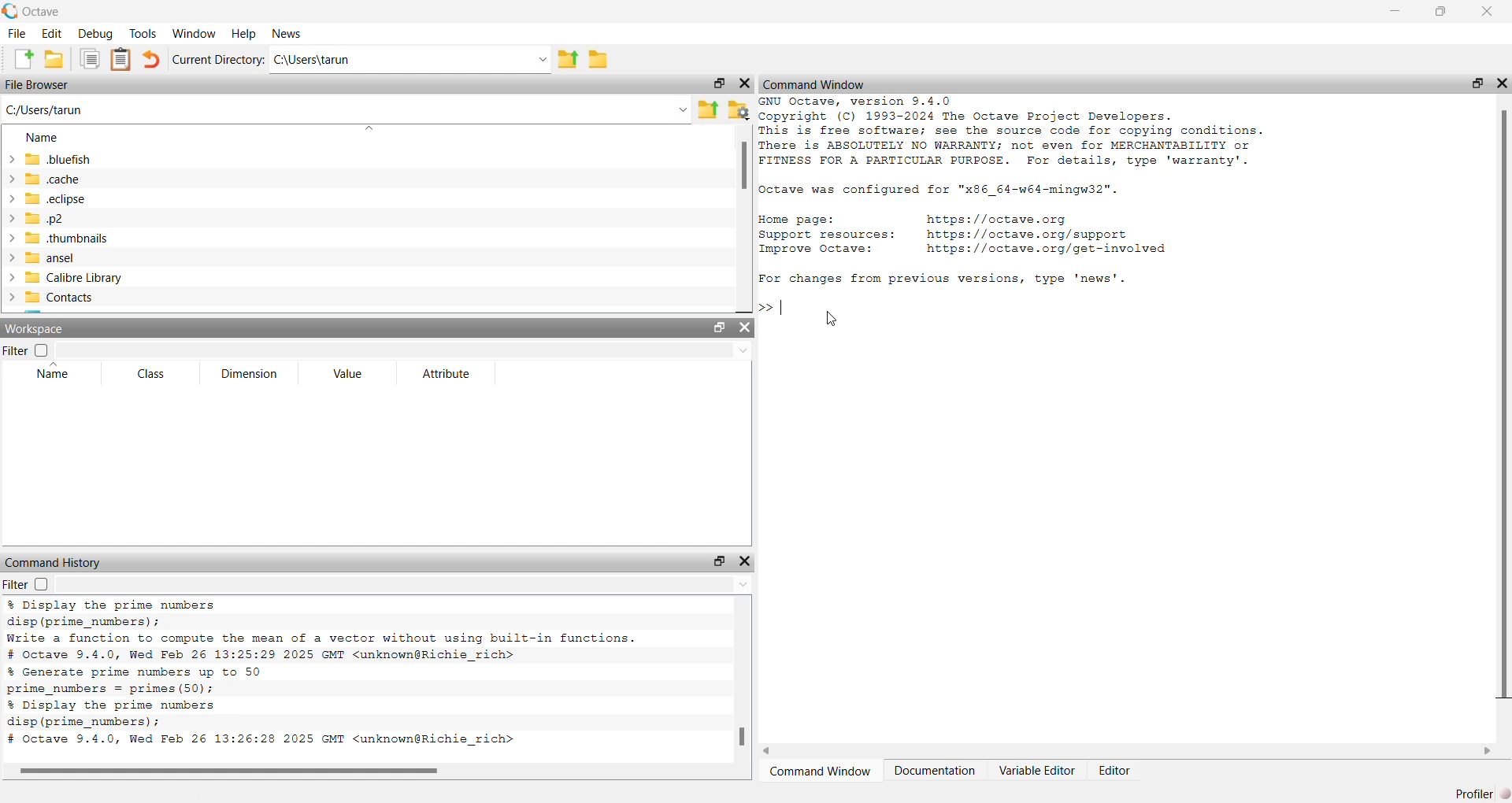  What do you see at coordinates (287, 33) in the screenshot?
I see `News` at bounding box center [287, 33].